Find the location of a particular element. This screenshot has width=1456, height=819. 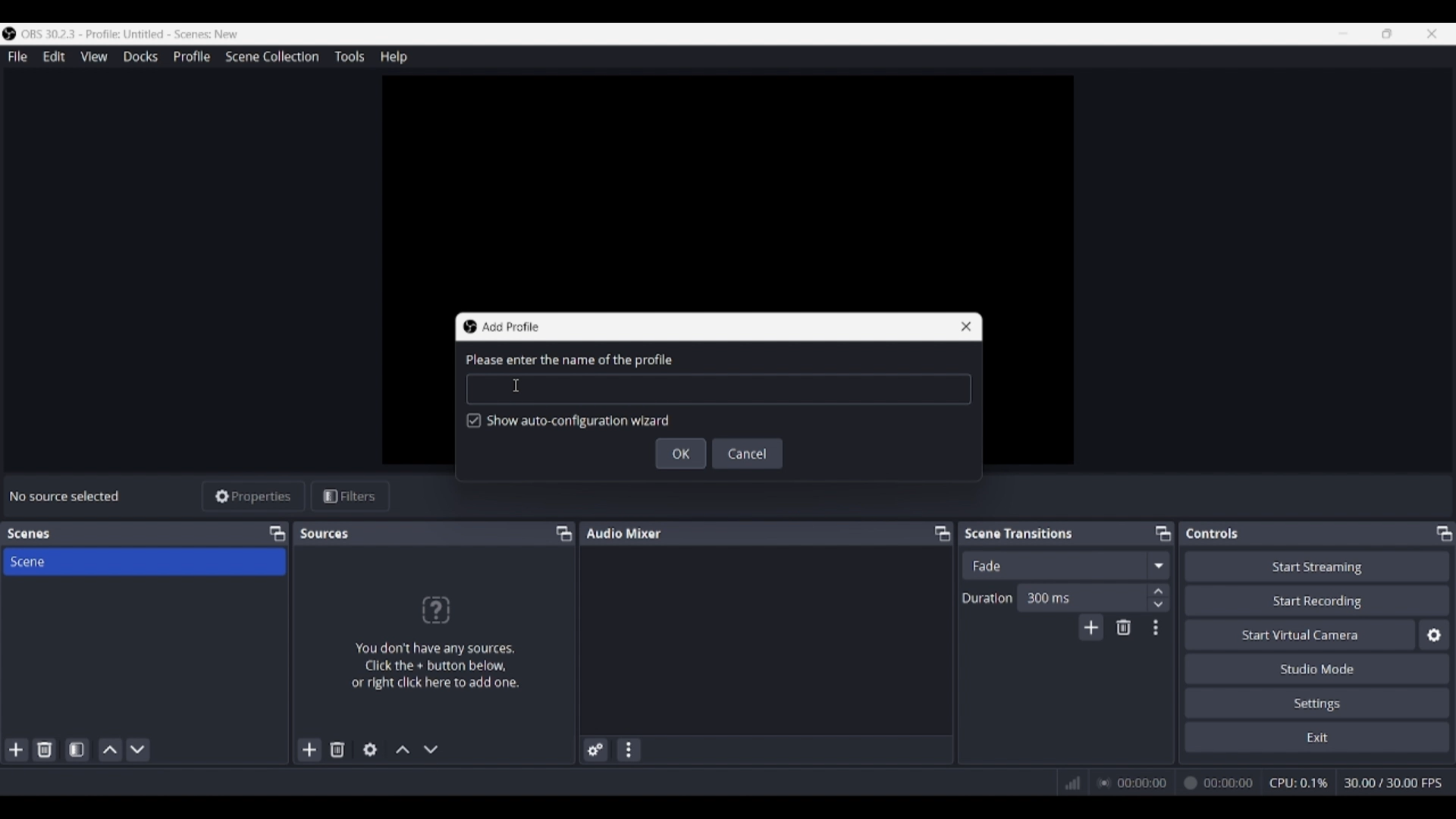

Recording duration is located at coordinates (1175, 783).